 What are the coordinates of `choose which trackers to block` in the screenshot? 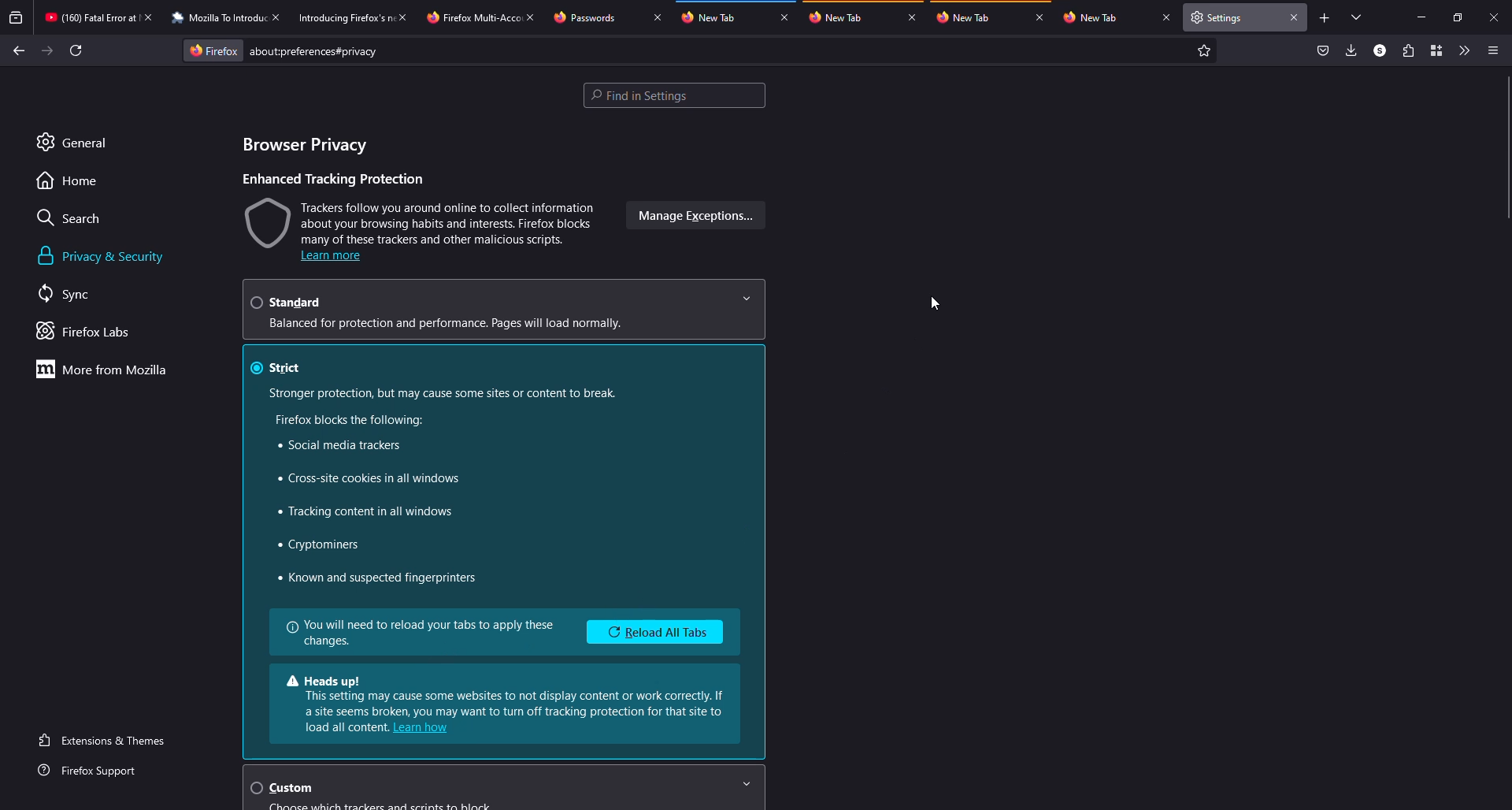 It's located at (381, 807).